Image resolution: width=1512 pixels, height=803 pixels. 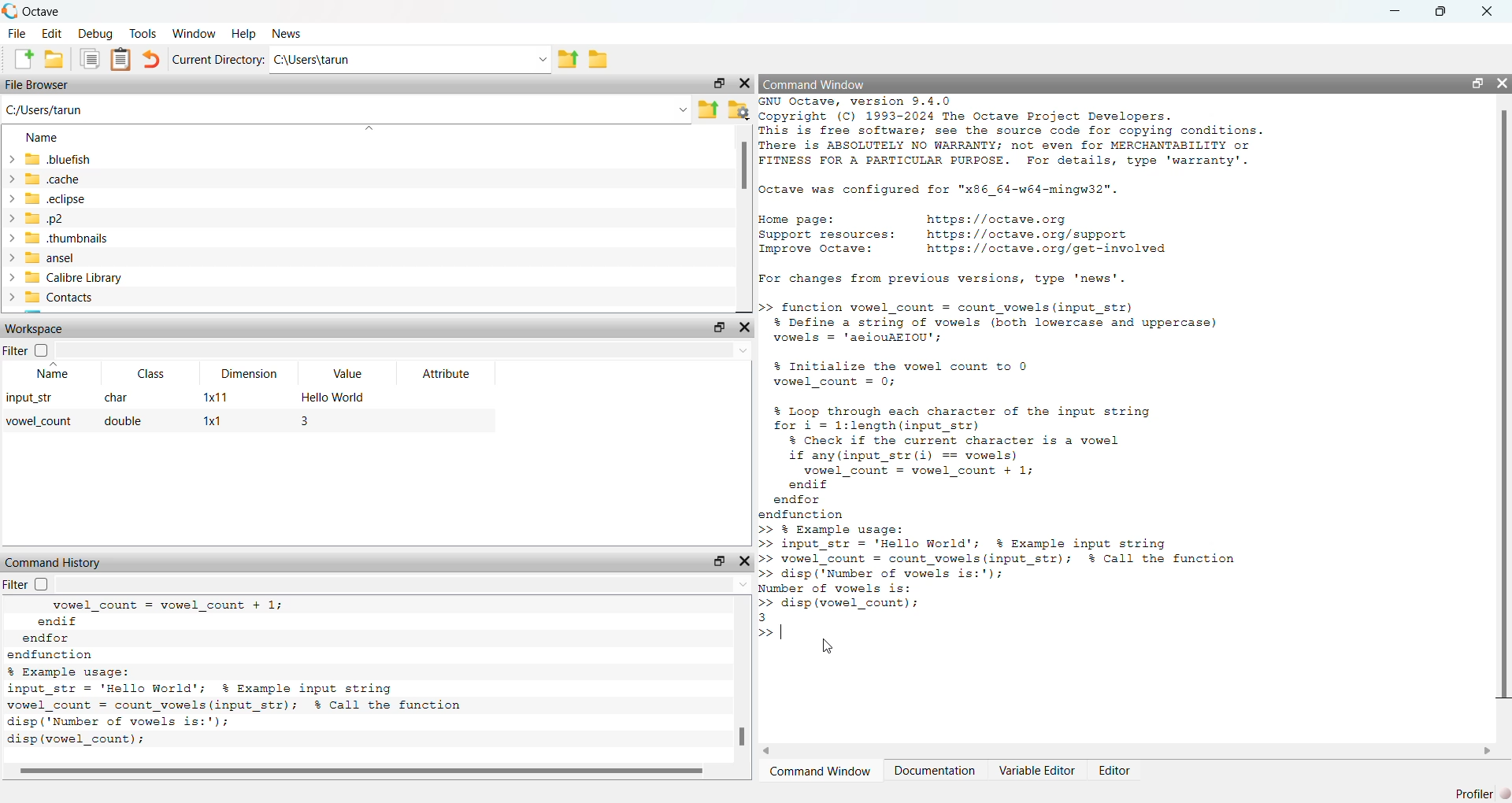 What do you see at coordinates (11, 199) in the screenshot?
I see `expand/collapse` at bounding box center [11, 199].